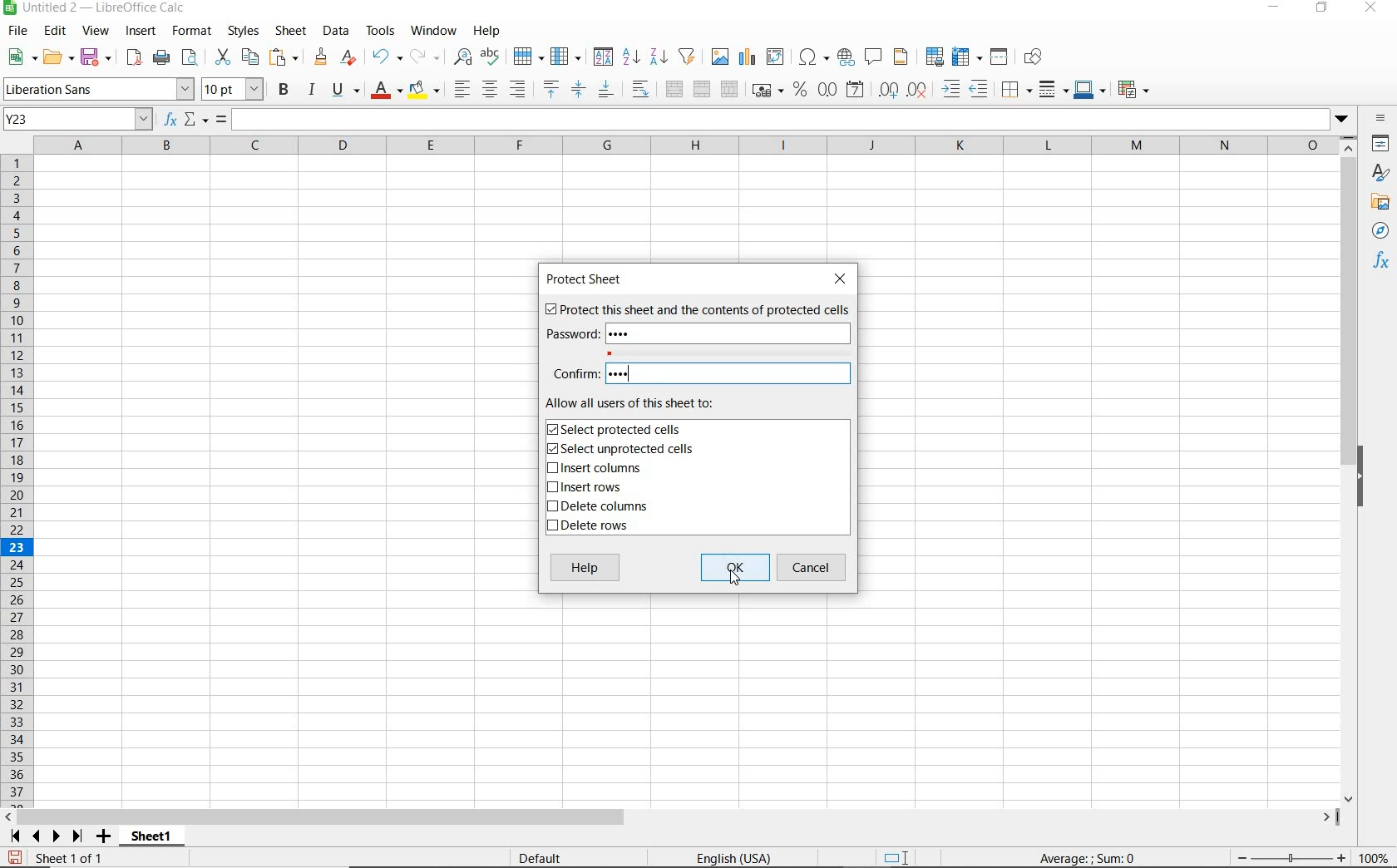  Describe the element at coordinates (1380, 200) in the screenshot. I see `gallery` at that location.